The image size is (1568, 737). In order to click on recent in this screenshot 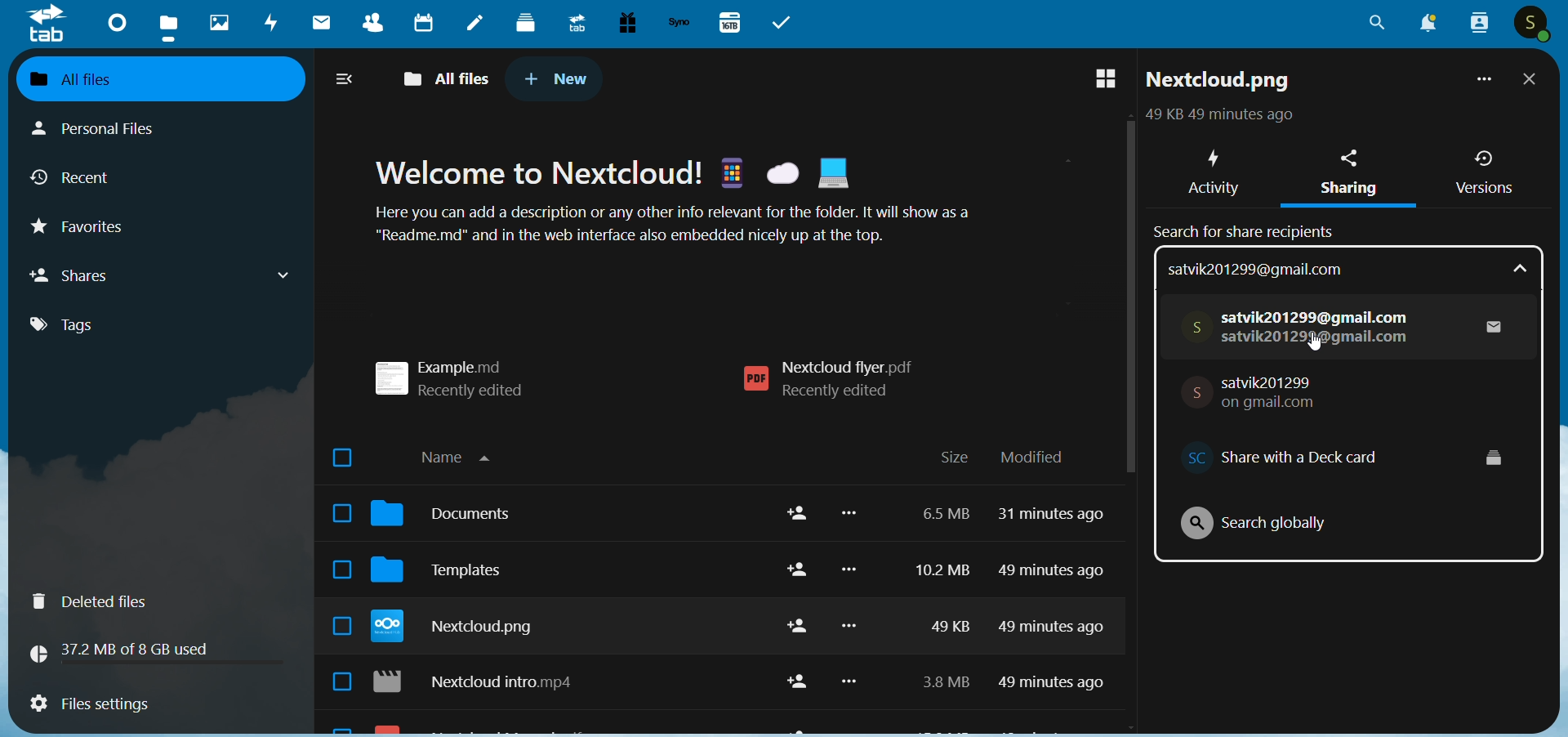, I will do `click(78, 181)`.